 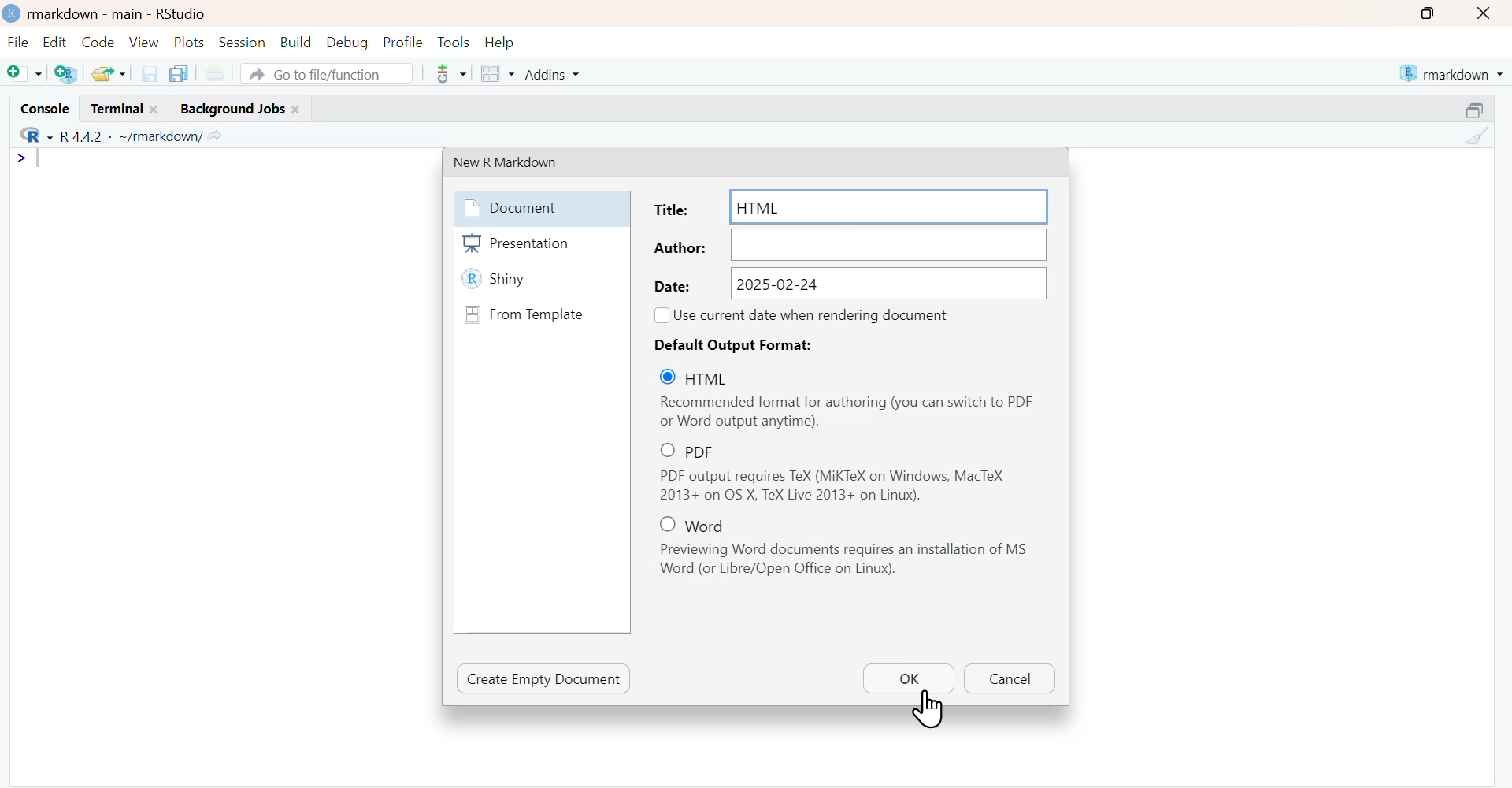 I want to click on R language version - R 4.4.1, so click(x=128, y=136).